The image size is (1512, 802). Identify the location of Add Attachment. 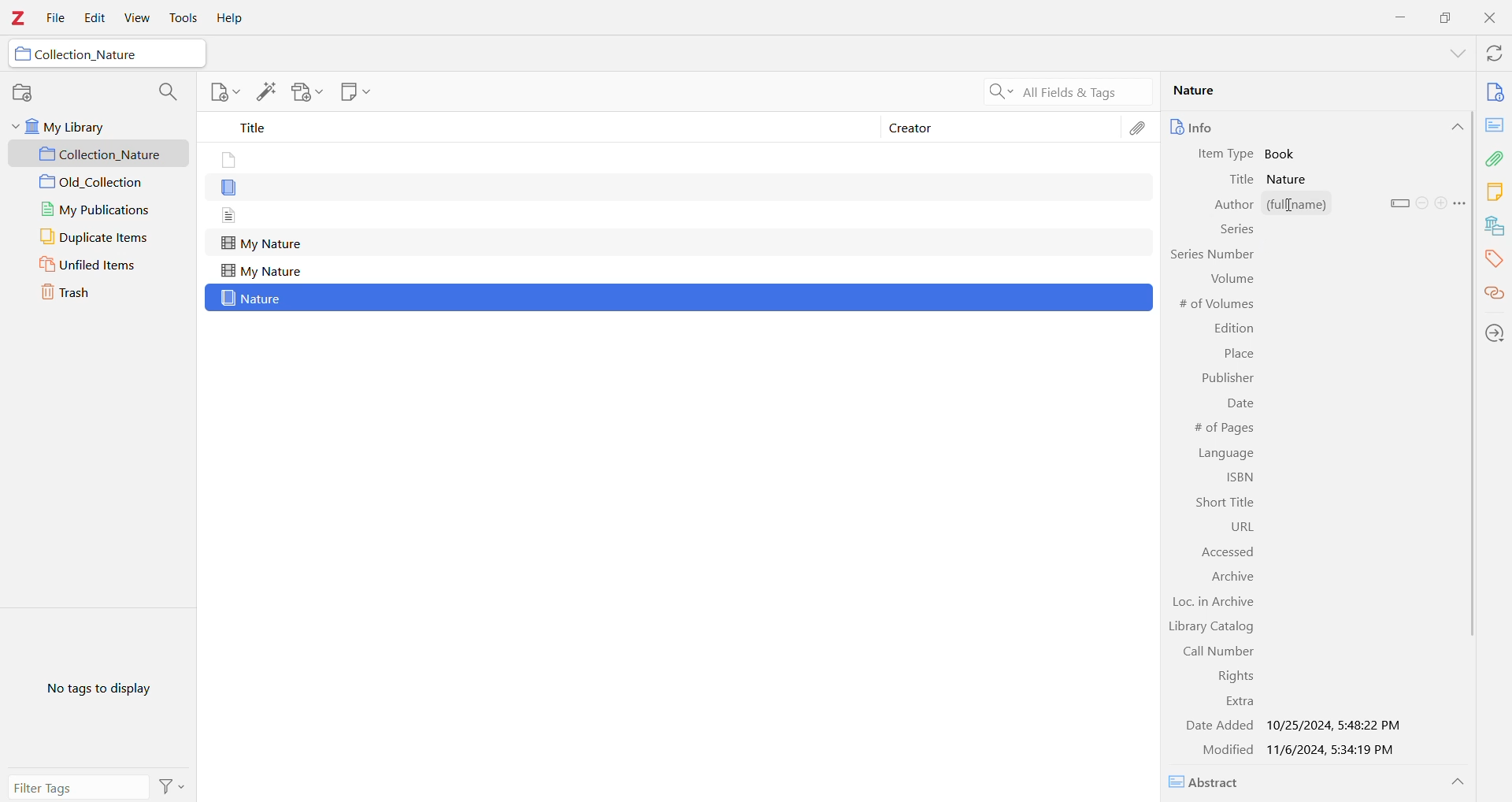
(307, 92).